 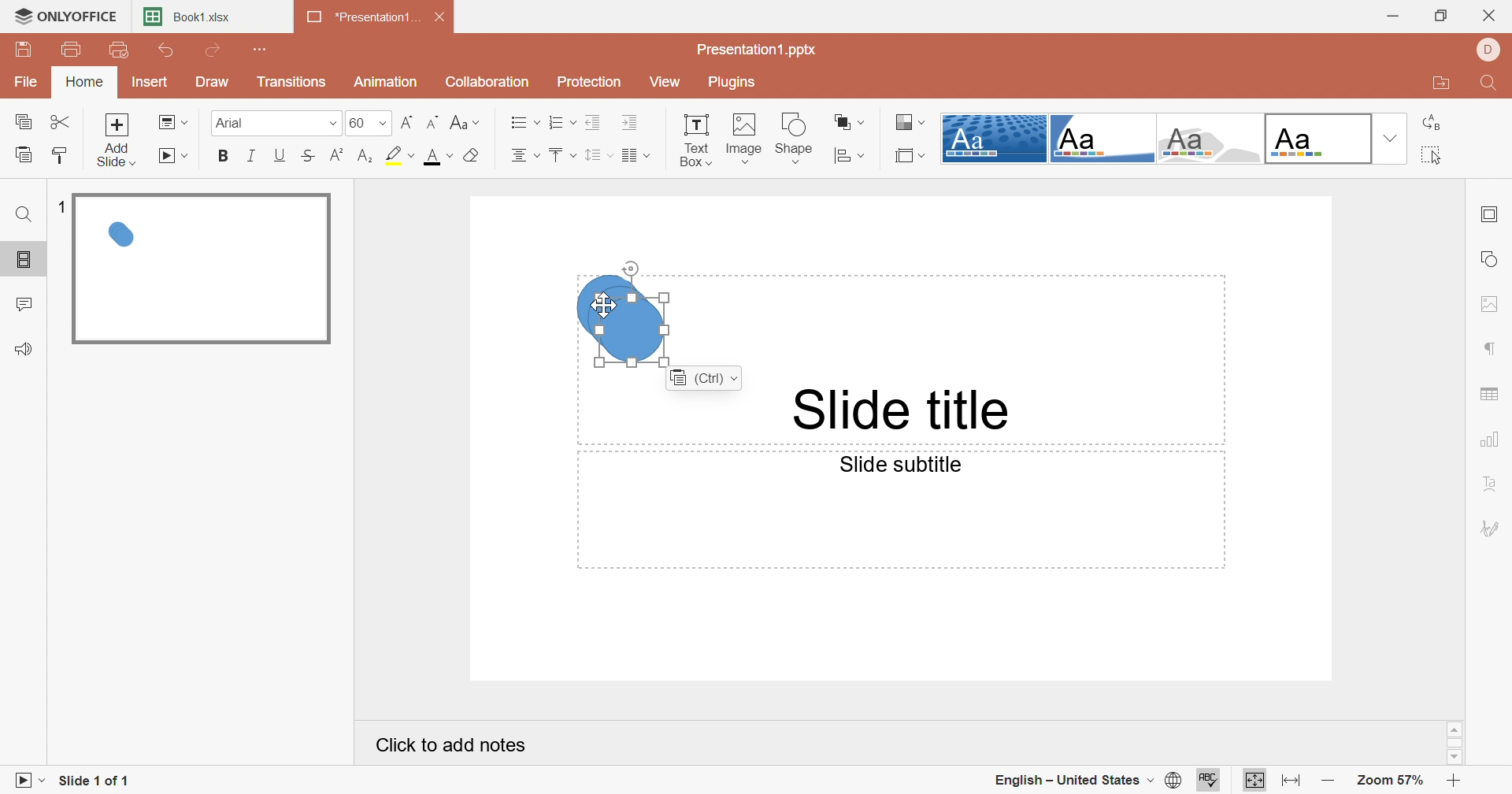 I want to click on File, so click(x=28, y=80).